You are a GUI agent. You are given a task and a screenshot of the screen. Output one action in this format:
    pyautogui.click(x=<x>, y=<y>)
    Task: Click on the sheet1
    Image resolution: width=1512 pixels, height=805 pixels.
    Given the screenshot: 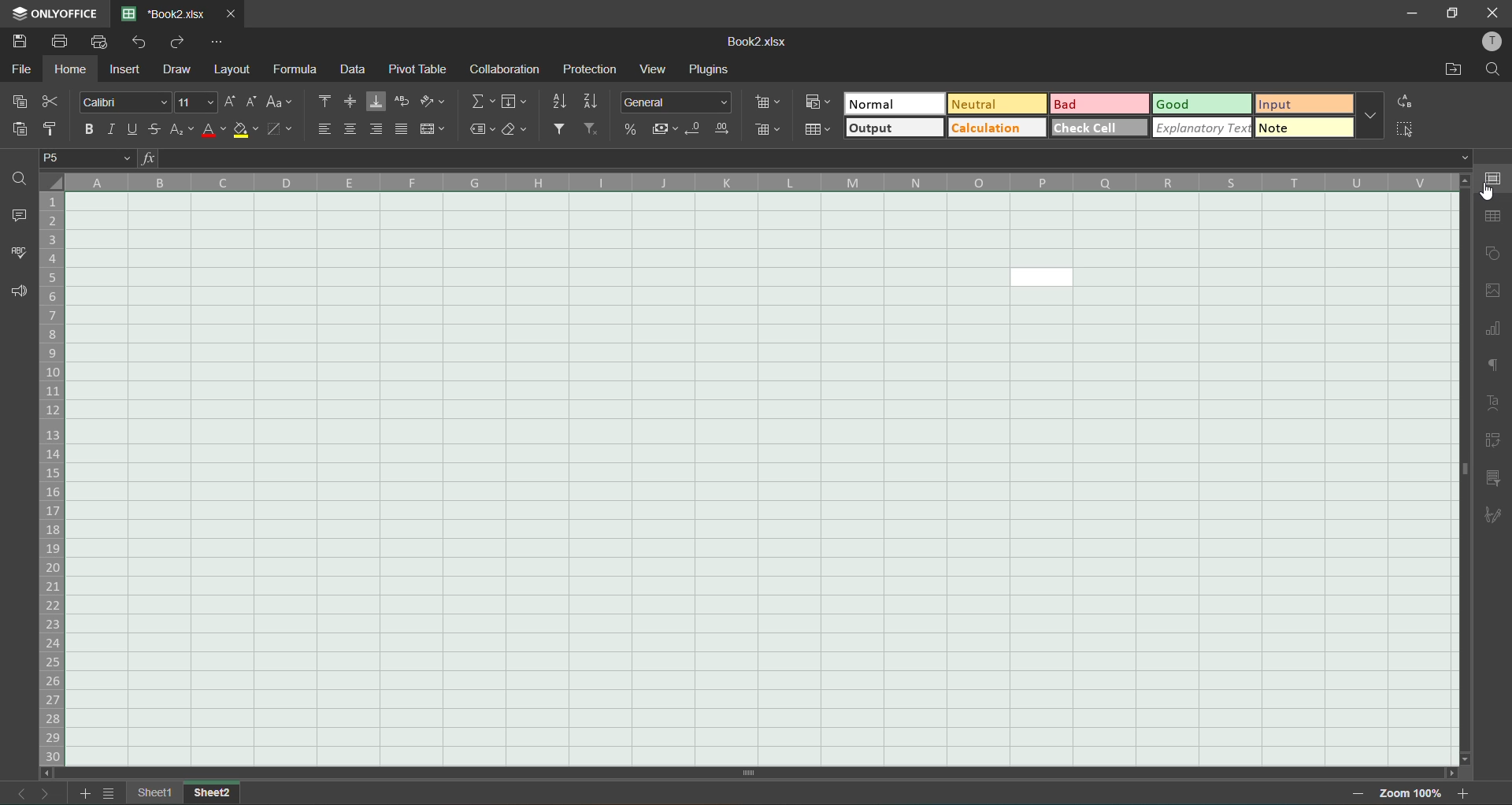 What is the action you would take?
    pyautogui.click(x=153, y=792)
    